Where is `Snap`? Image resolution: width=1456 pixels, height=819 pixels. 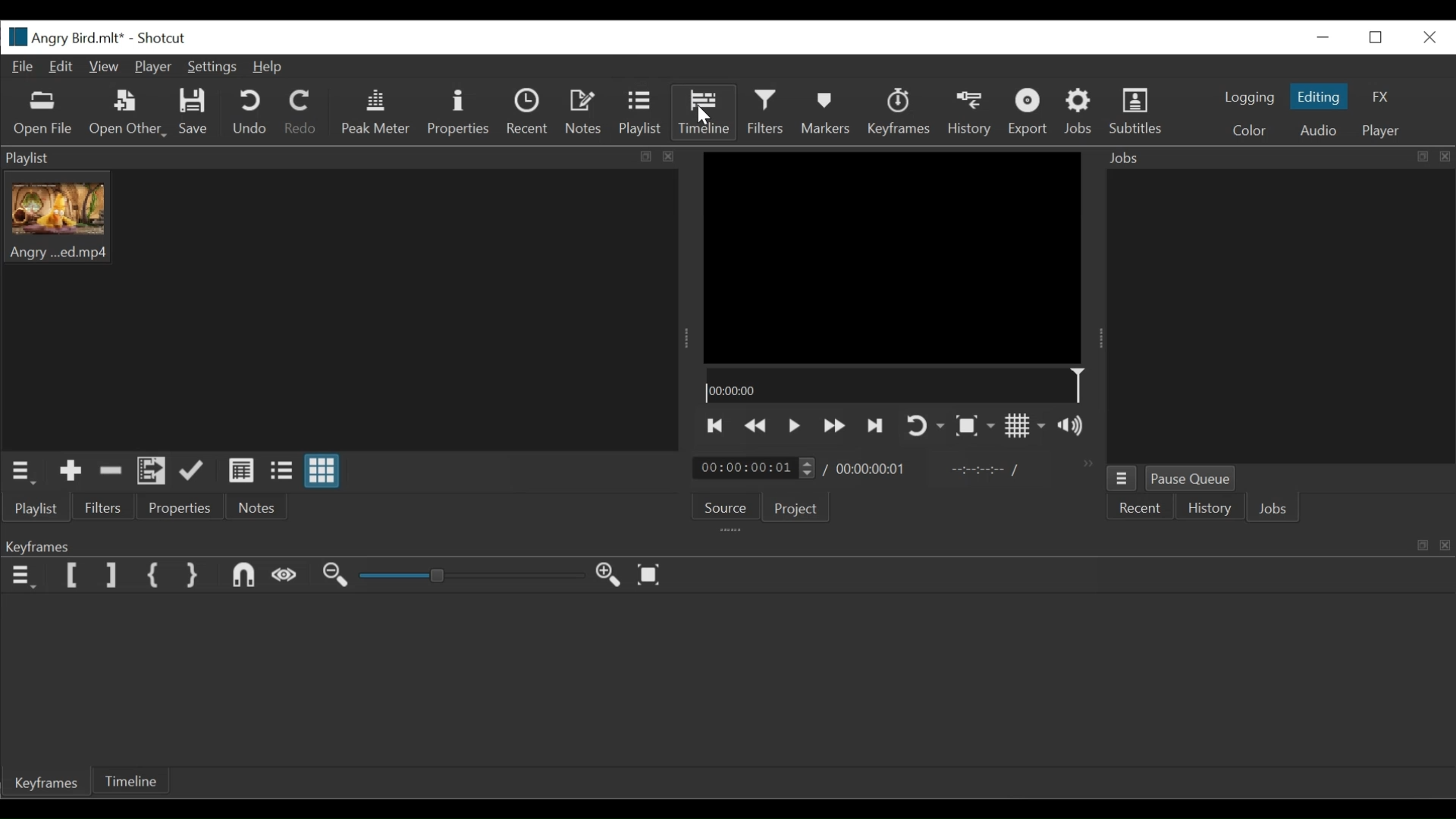 Snap is located at coordinates (243, 576).